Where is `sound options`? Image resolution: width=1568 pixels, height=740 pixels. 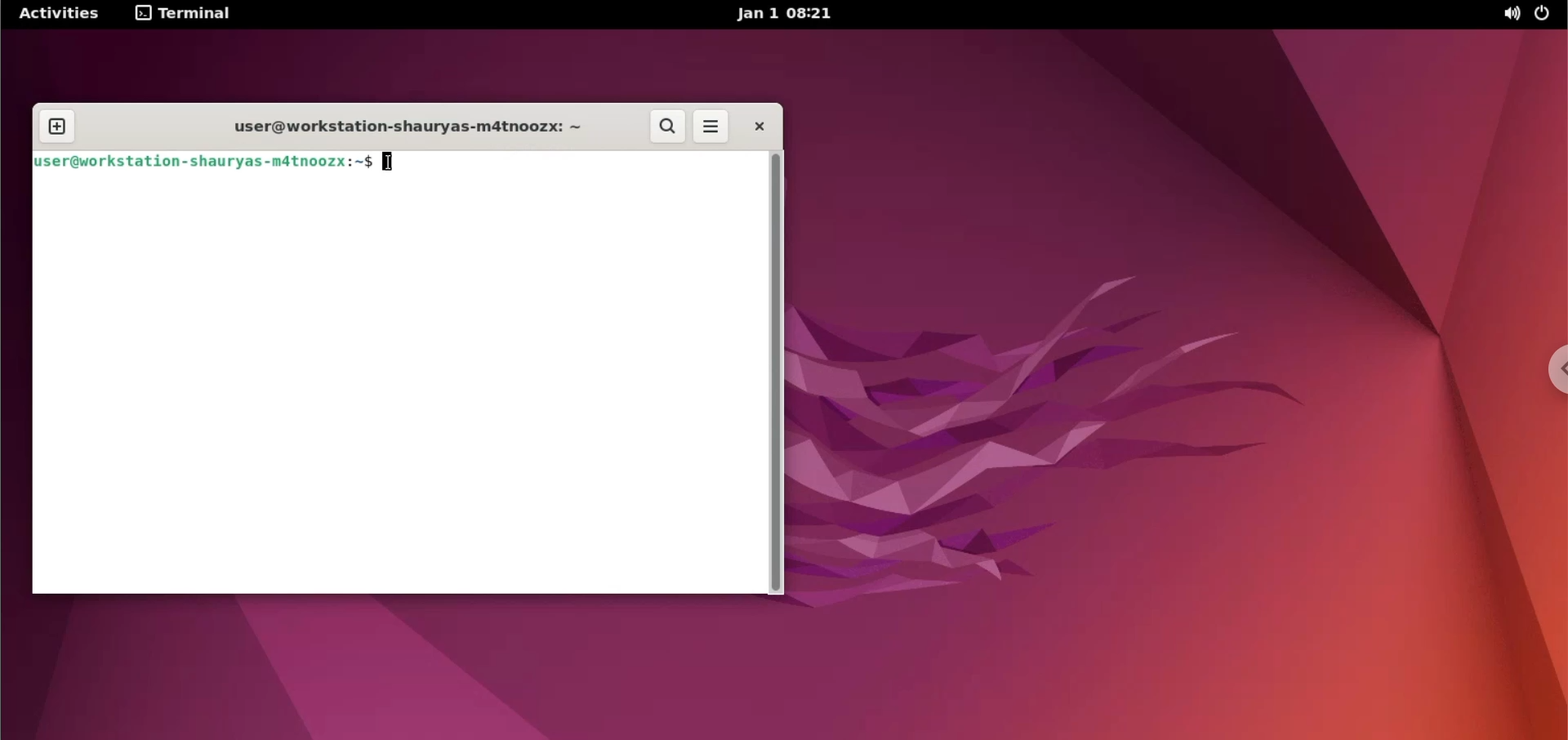 sound options is located at coordinates (1507, 16).